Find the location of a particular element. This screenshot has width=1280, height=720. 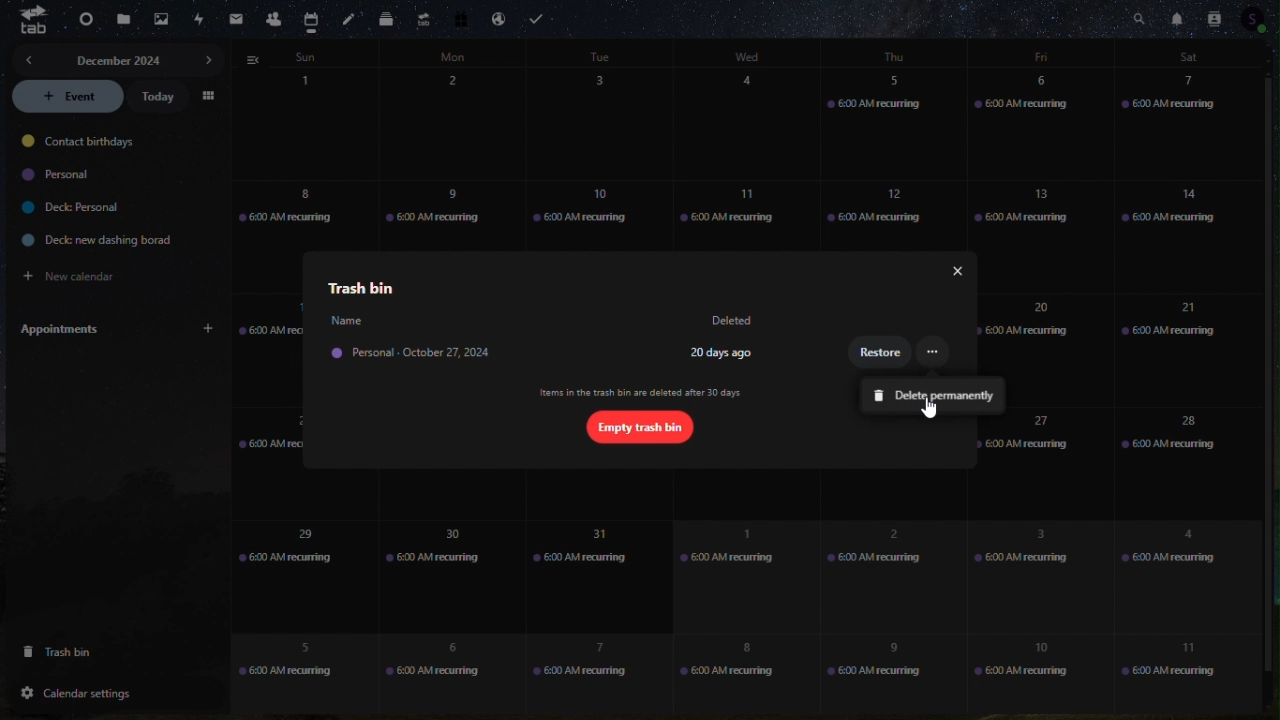

Personal is located at coordinates (424, 356).